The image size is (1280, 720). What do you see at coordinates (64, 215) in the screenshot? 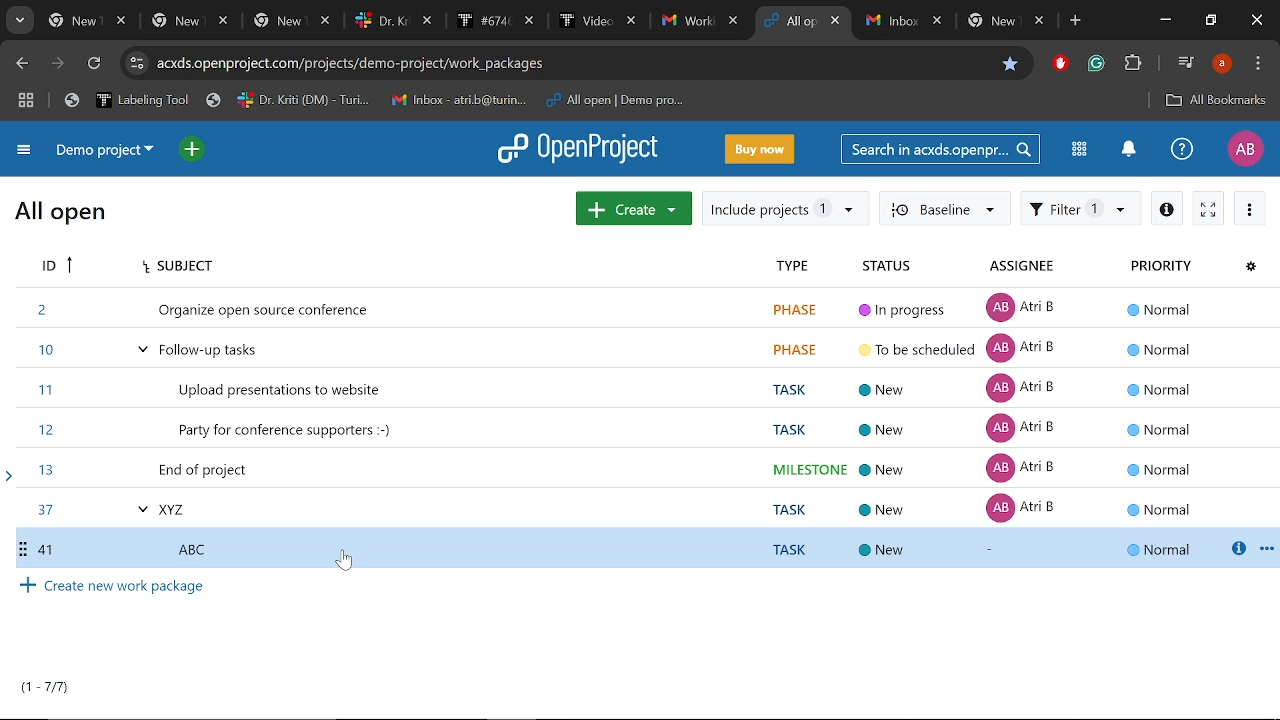
I see `All open` at bounding box center [64, 215].